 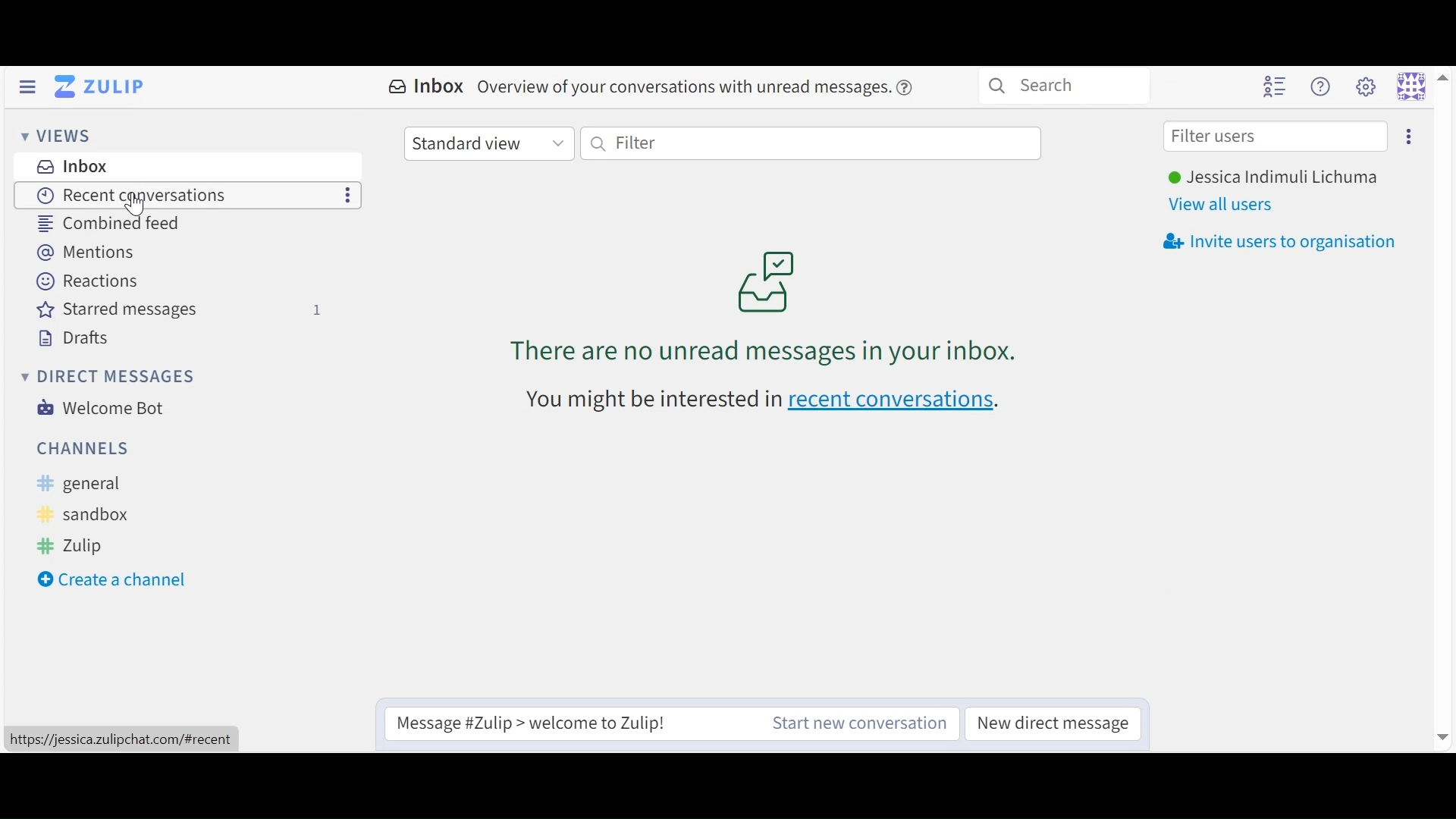 What do you see at coordinates (74, 547) in the screenshot?
I see `Zulip` at bounding box center [74, 547].